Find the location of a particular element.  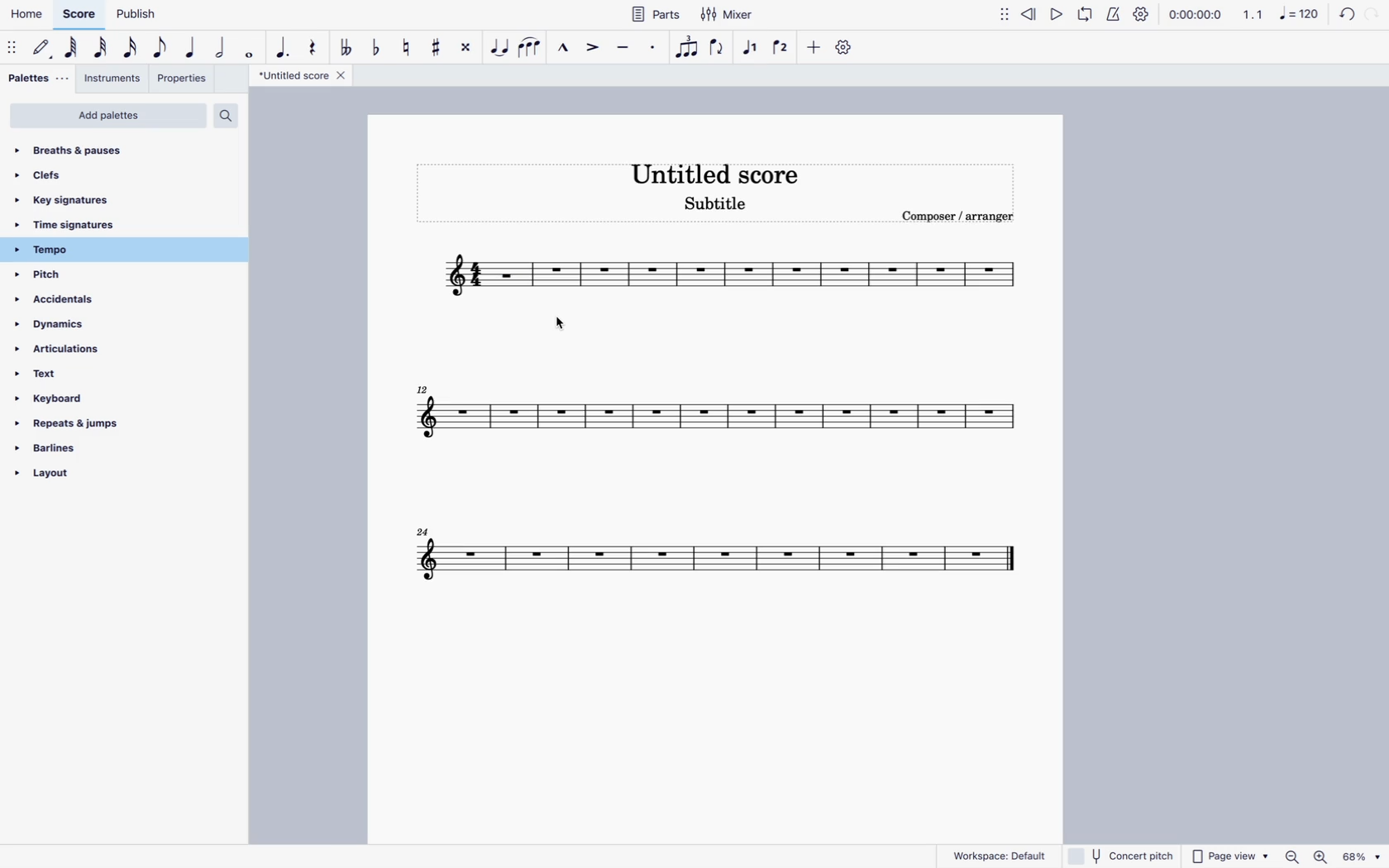

scale is located at coordinates (1281, 14).